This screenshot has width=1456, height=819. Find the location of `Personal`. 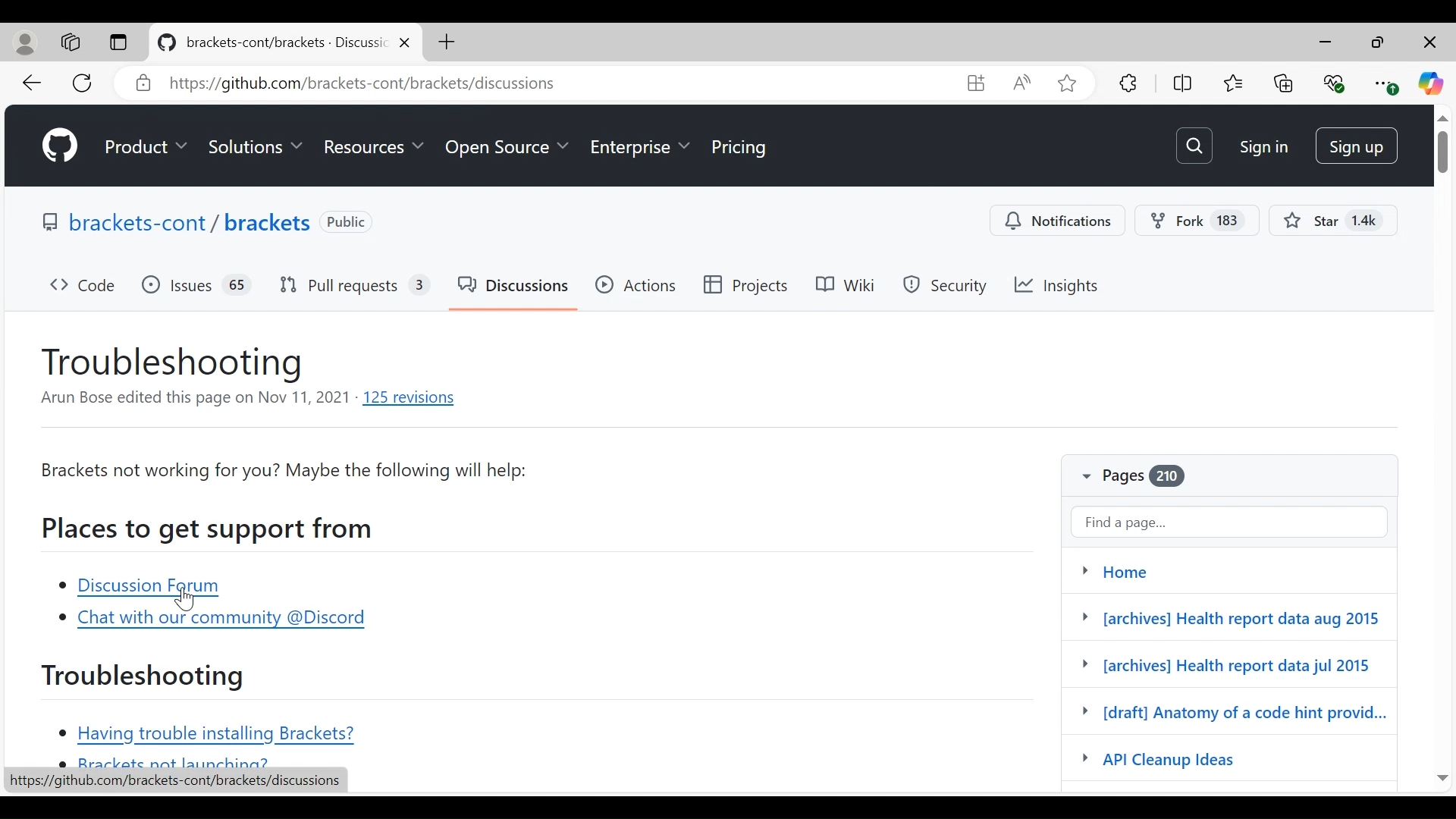

Personal is located at coordinates (26, 43).